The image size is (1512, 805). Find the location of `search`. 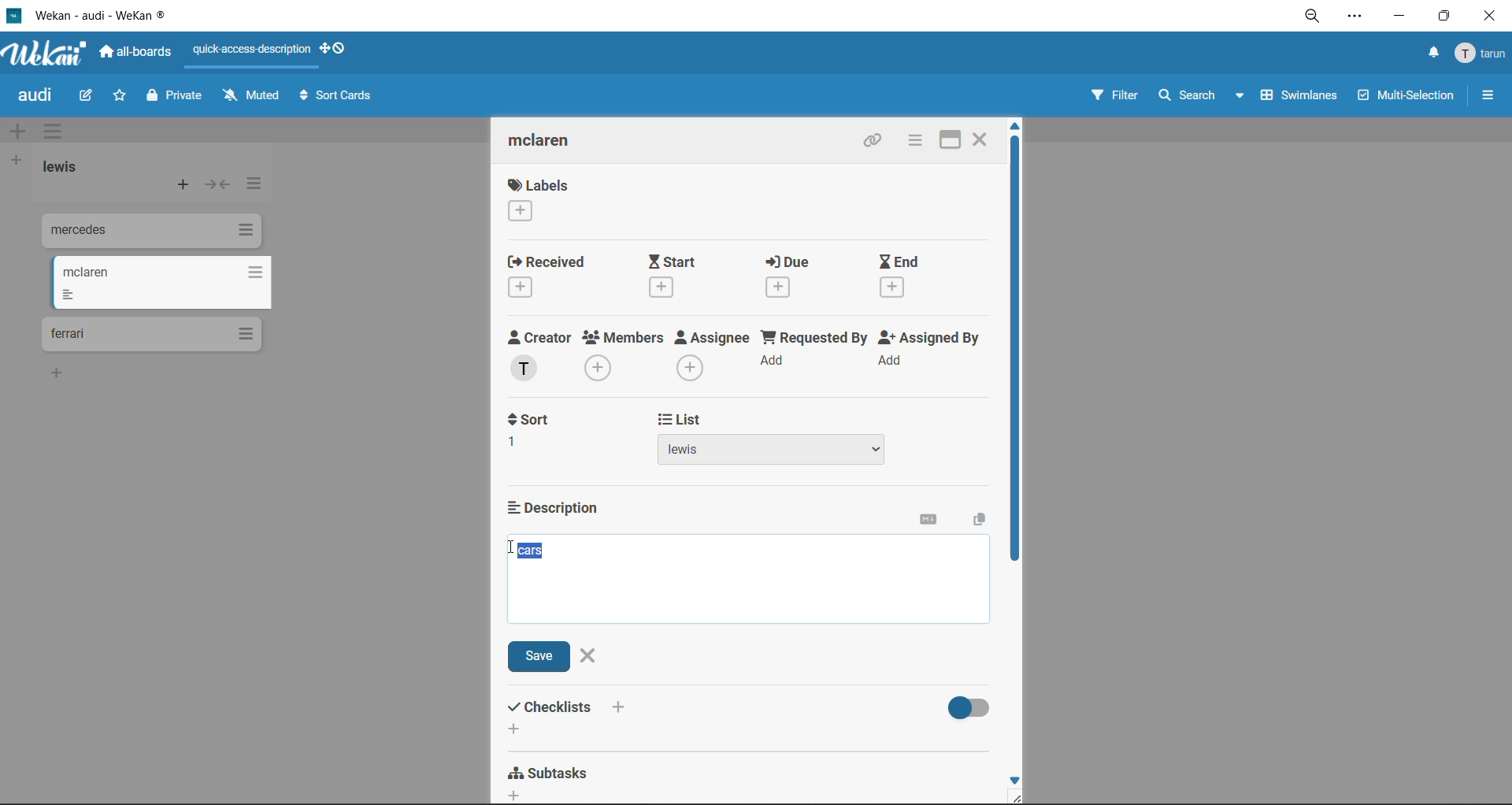

search is located at coordinates (1203, 96).